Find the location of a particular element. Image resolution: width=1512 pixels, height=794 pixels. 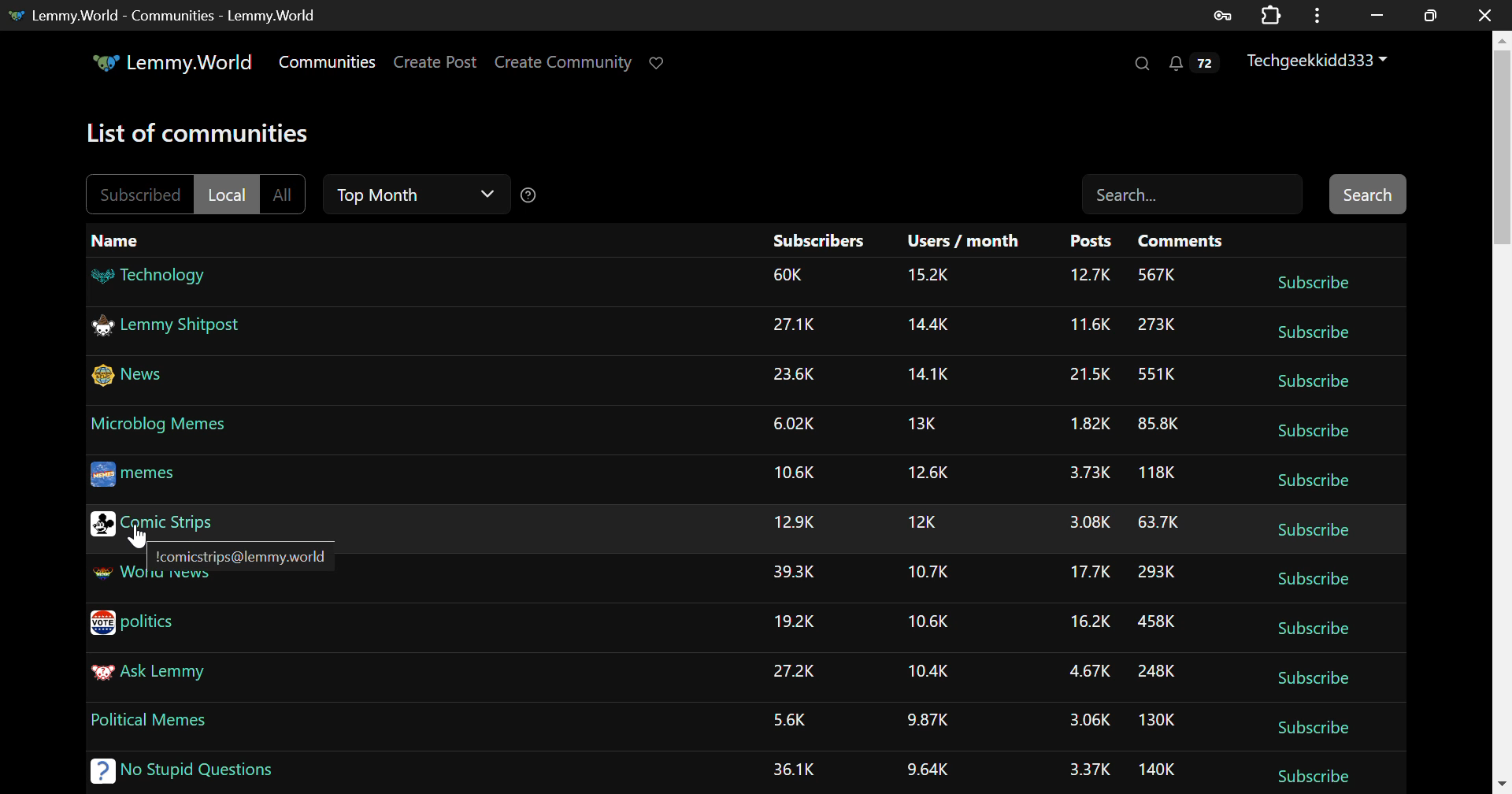

Amount is located at coordinates (930, 425).